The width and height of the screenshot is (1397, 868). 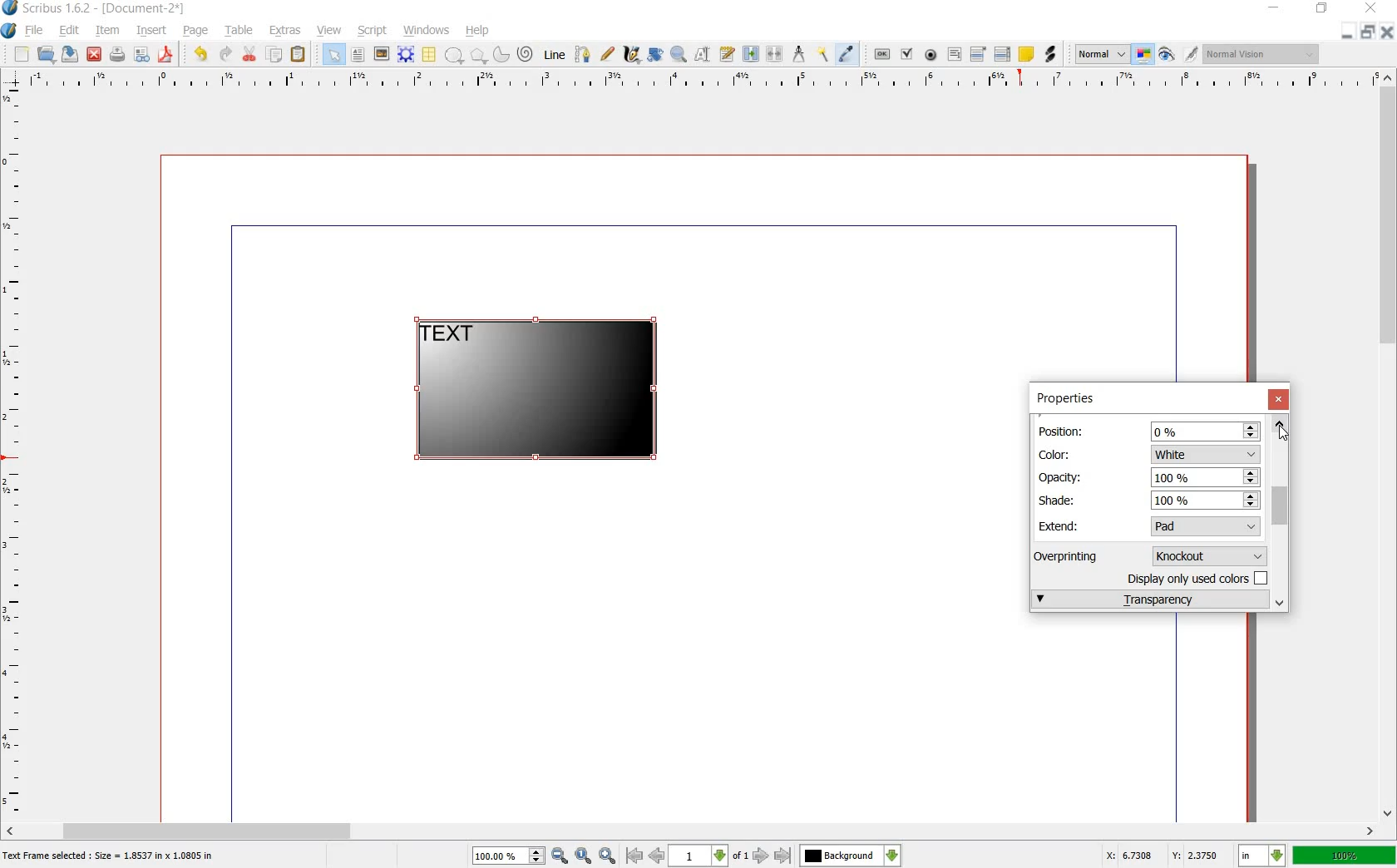 I want to click on render frame, so click(x=406, y=55).